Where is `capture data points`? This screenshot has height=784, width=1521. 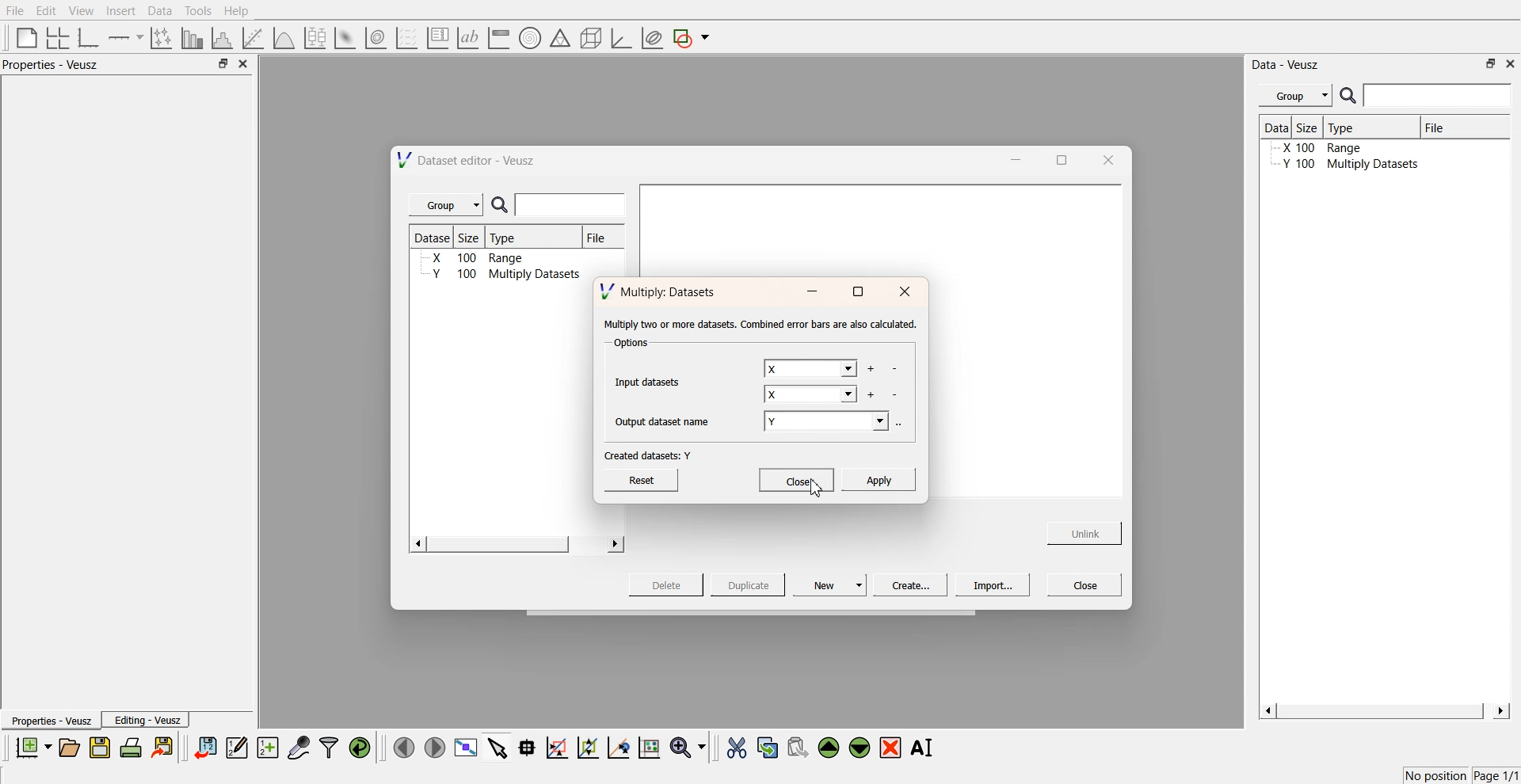 capture data points is located at coordinates (299, 748).